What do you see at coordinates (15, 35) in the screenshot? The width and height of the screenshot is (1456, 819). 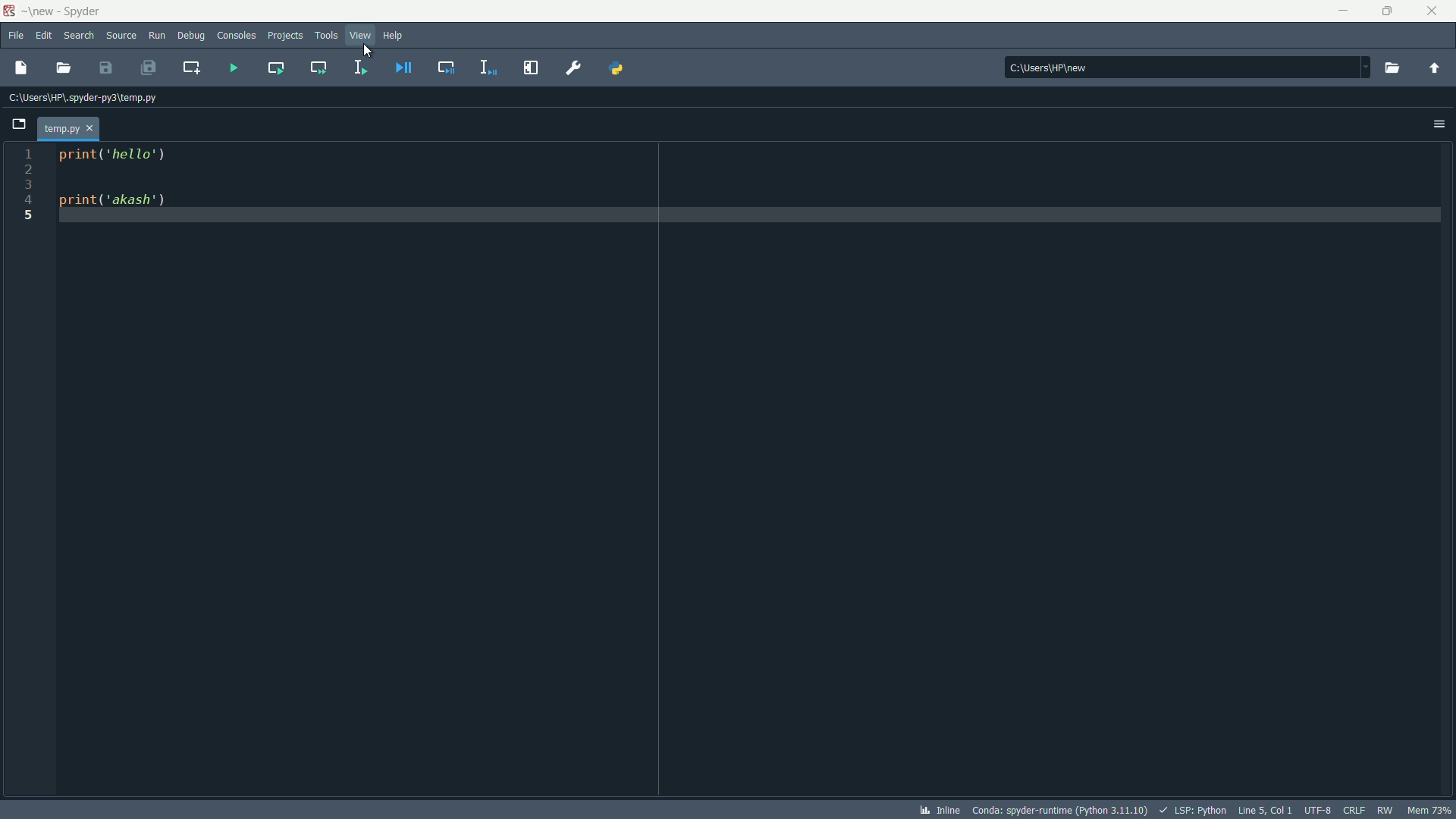 I see `file menu` at bounding box center [15, 35].